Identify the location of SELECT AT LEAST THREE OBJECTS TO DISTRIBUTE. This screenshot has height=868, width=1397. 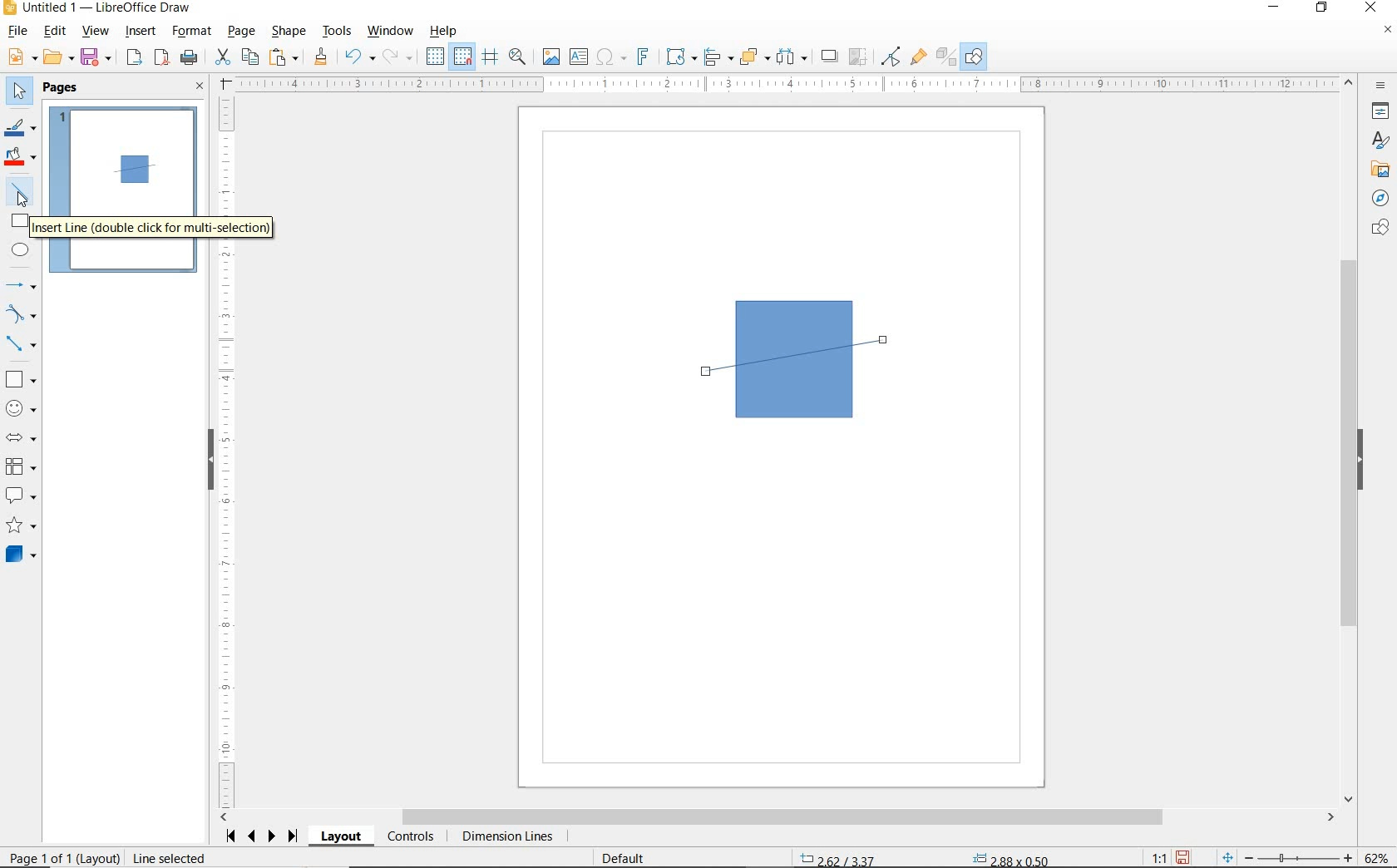
(792, 57).